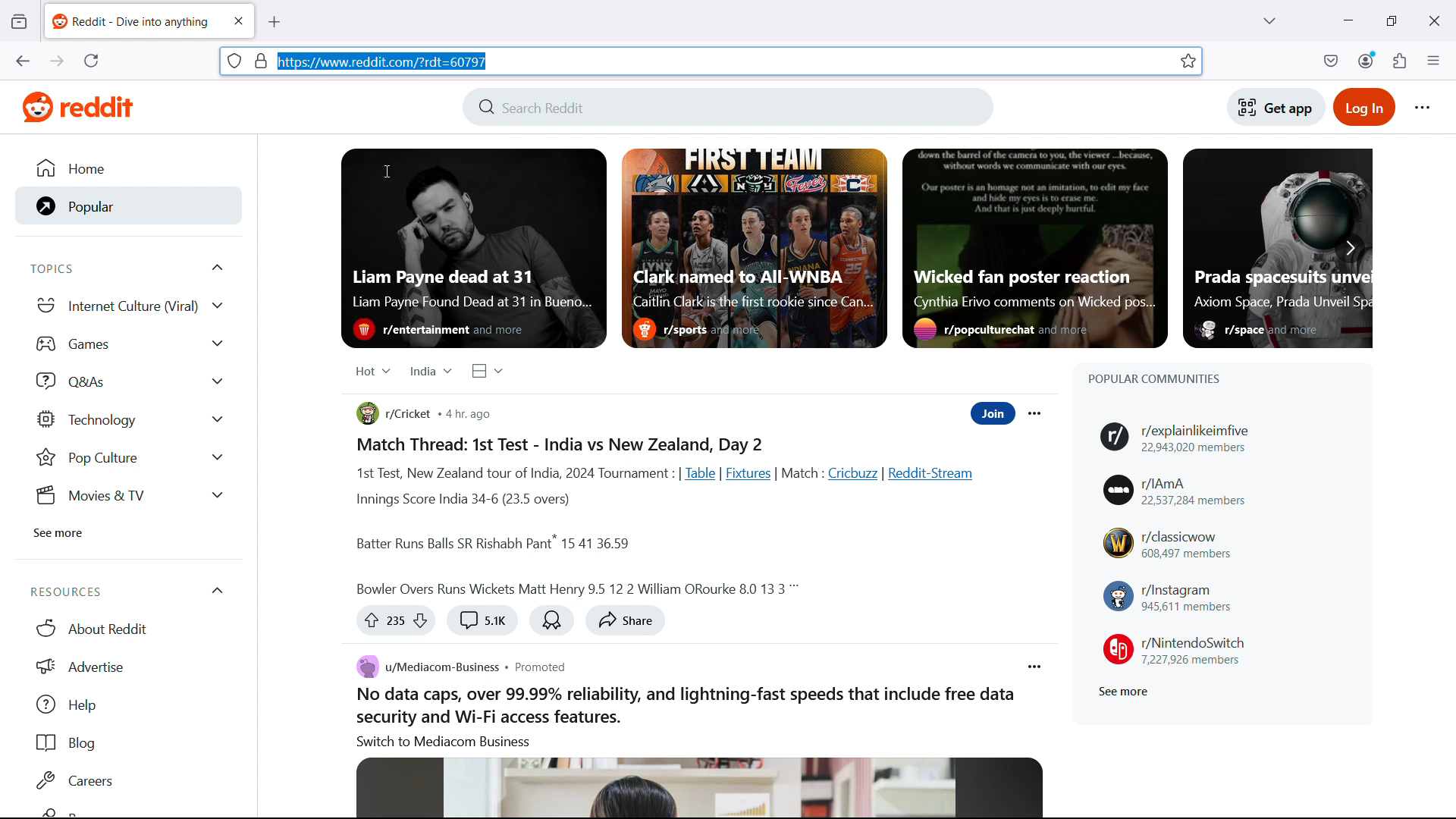 The image size is (1456, 819). What do you see at coordinates (1401, 59) in the screenshot?
I see `extensions` at bounding box center [1401, 59].